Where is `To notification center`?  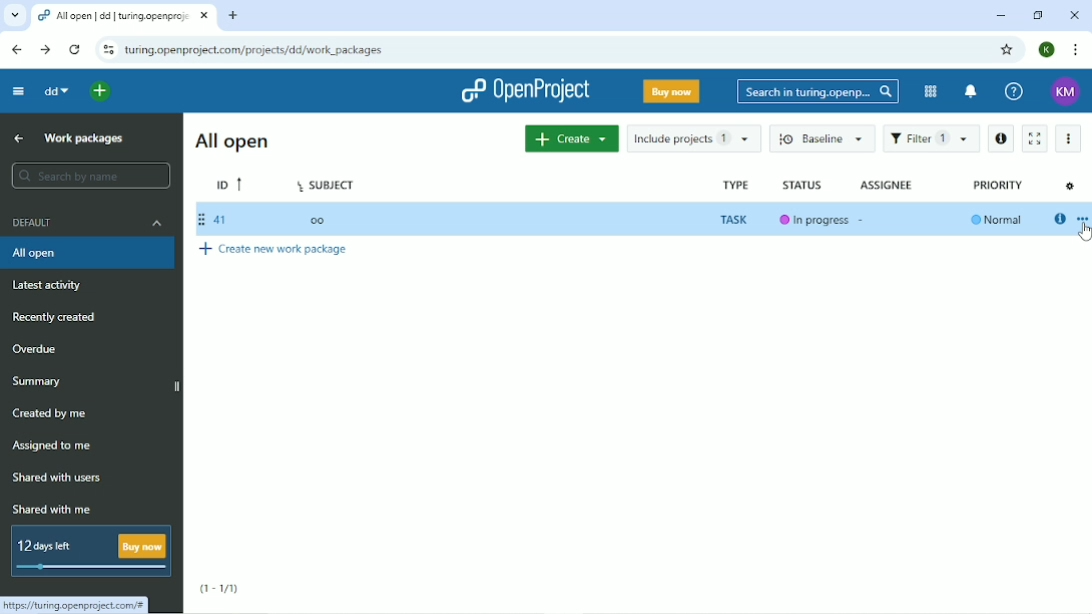
To notification center is located at coordinates (968, 91).